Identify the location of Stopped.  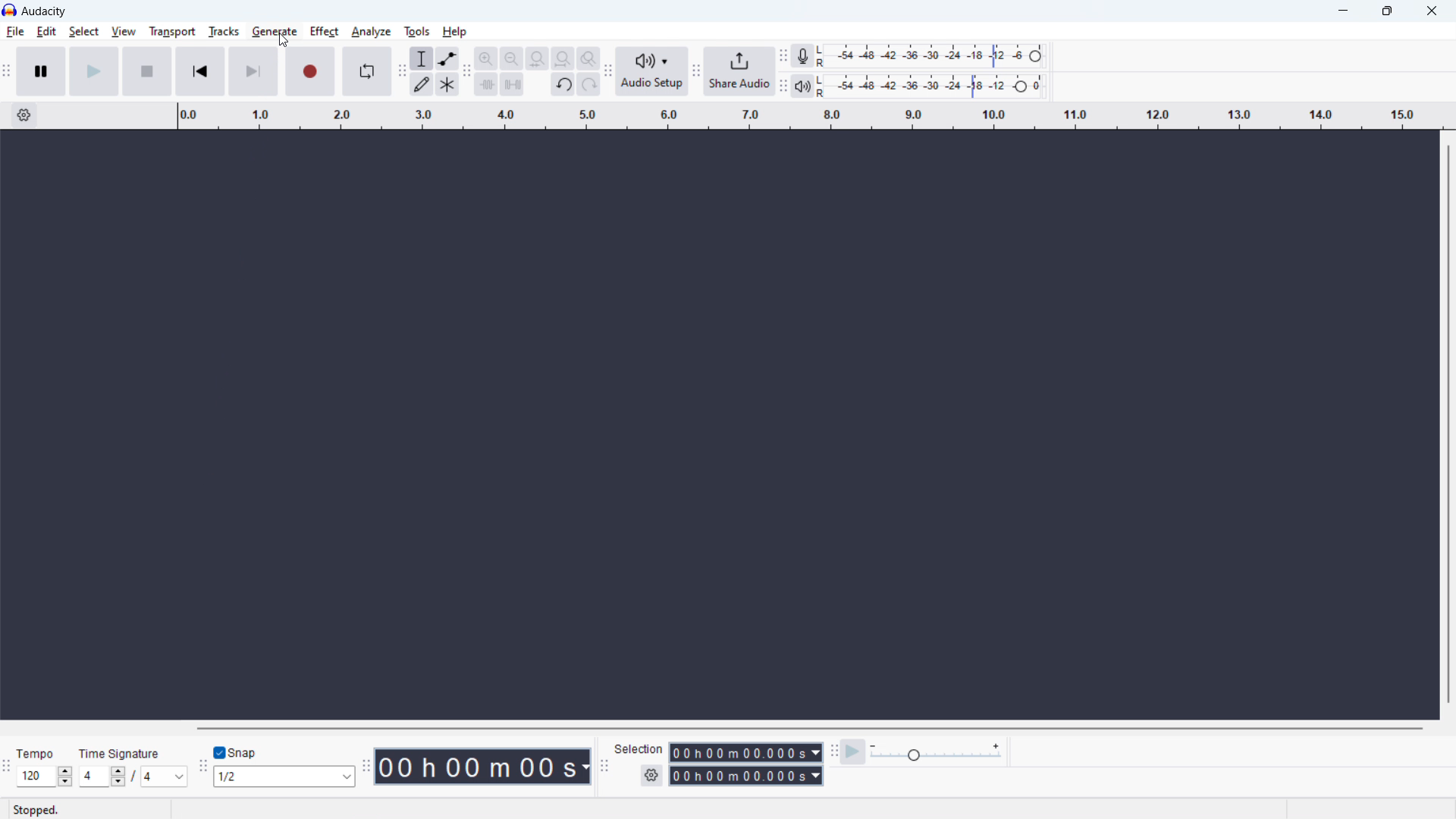
(36, 809).